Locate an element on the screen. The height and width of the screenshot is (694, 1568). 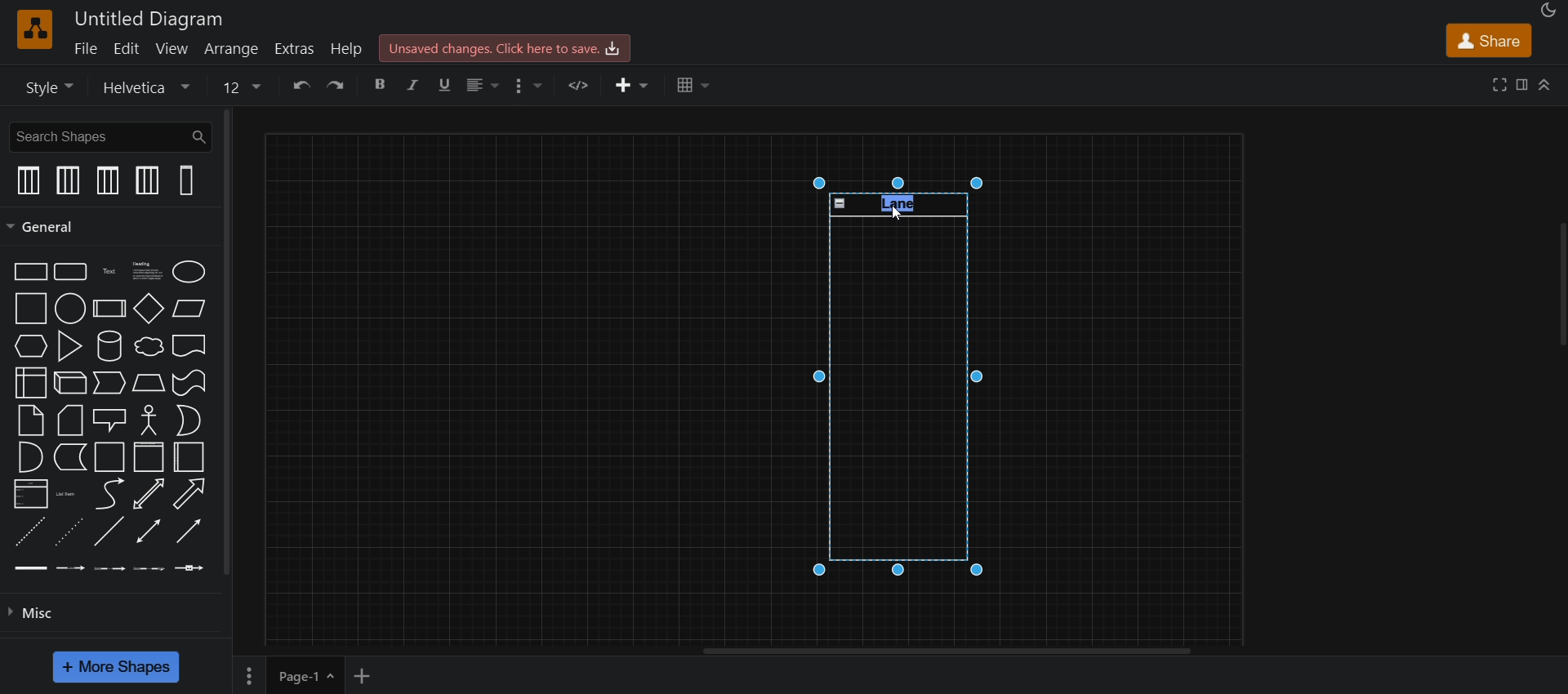
appearance is located at coordinates (1547, 11).